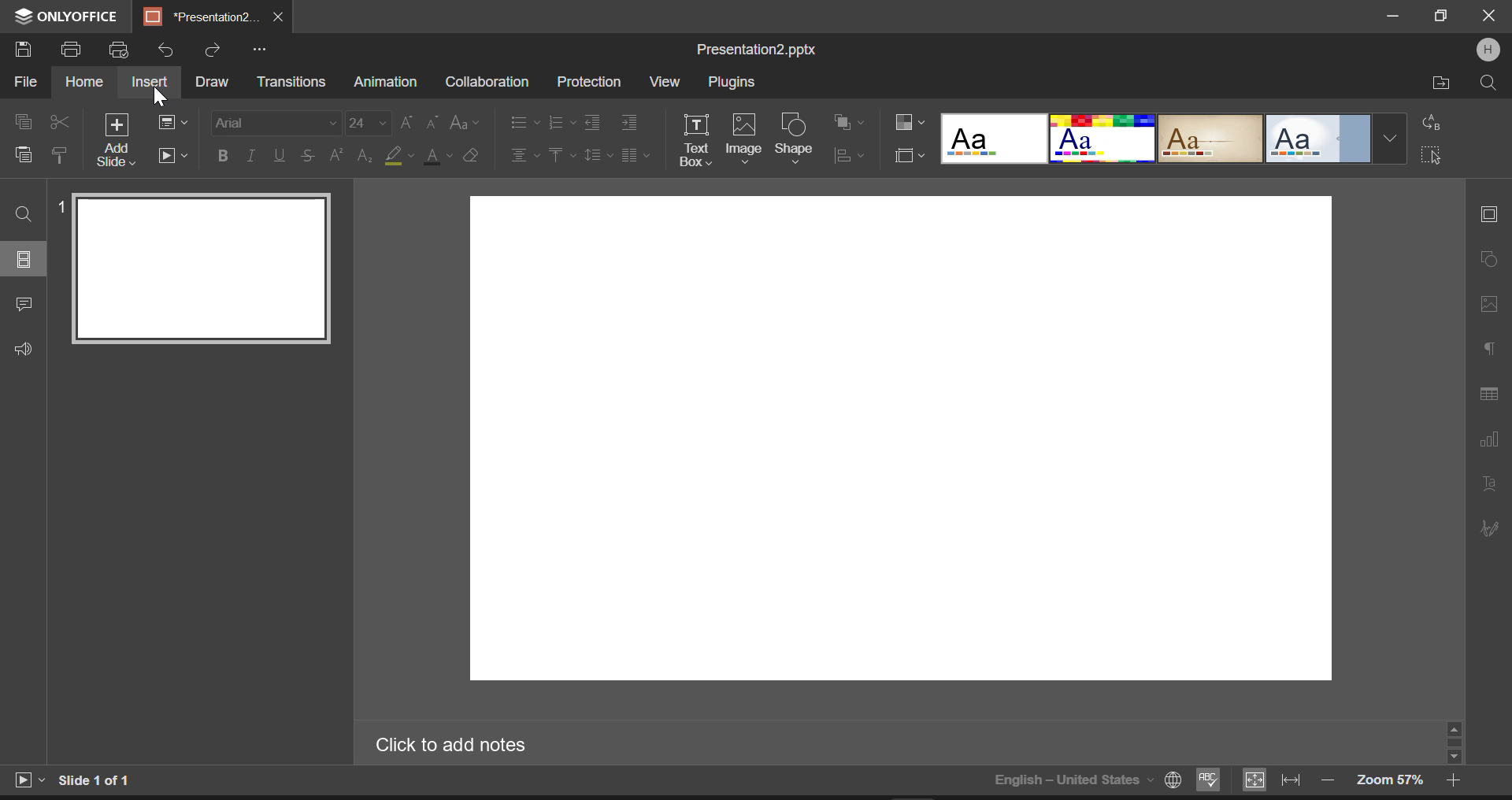 The height and width of the screenshot is (800, 1512). Describe the element at coordinates (24, 306) in the screenshot. I see `Comments` at that location.